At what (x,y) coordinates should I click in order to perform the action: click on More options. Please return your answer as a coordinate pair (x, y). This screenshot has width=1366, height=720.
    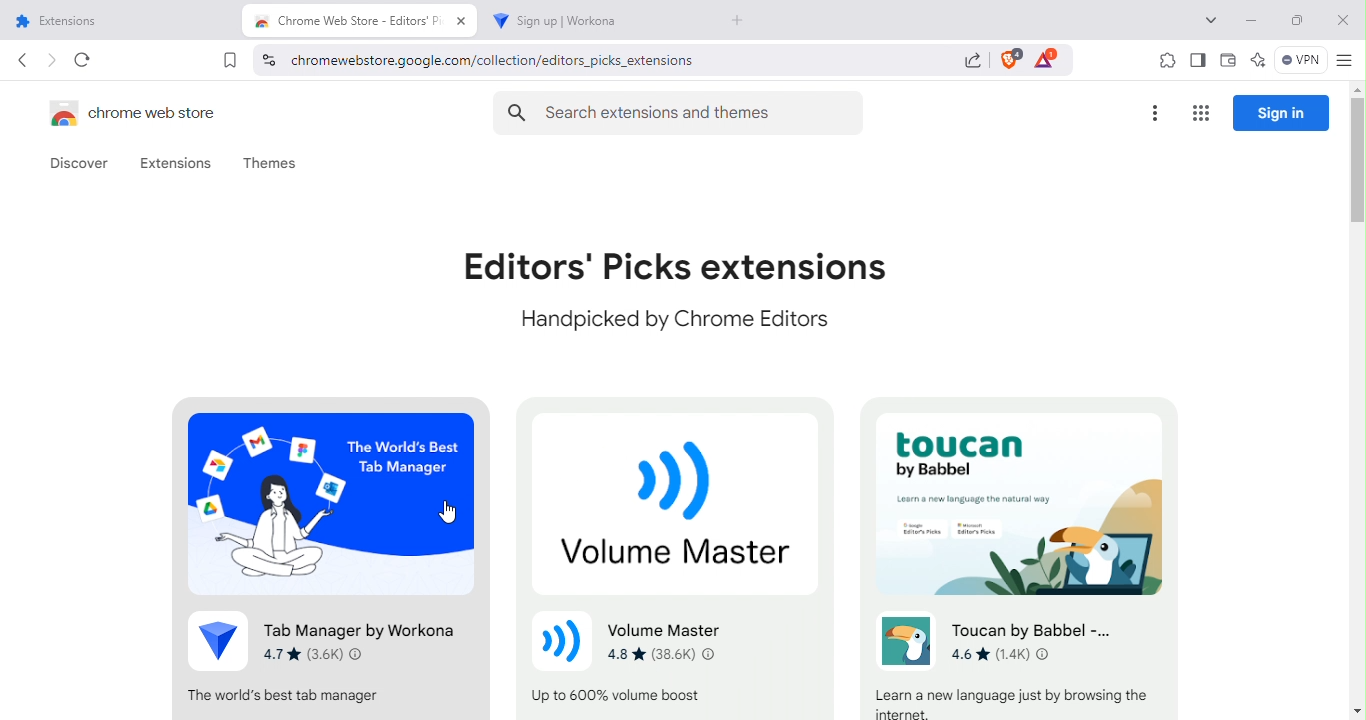
    Looking at the image, I should click on (1153, 114).